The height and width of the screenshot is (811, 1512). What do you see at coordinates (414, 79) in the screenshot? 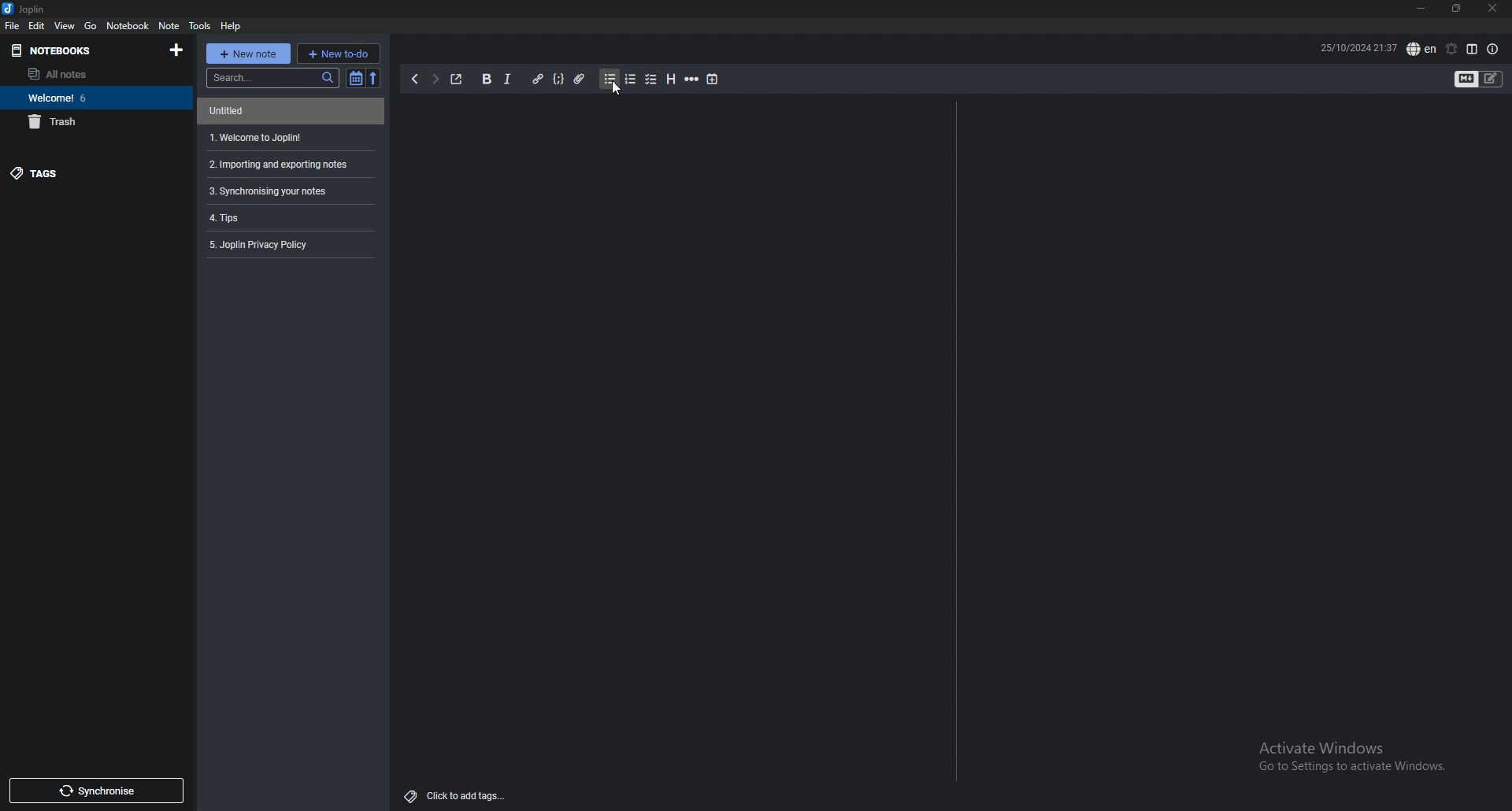
I see `backward` at bounding box center [414, 79].